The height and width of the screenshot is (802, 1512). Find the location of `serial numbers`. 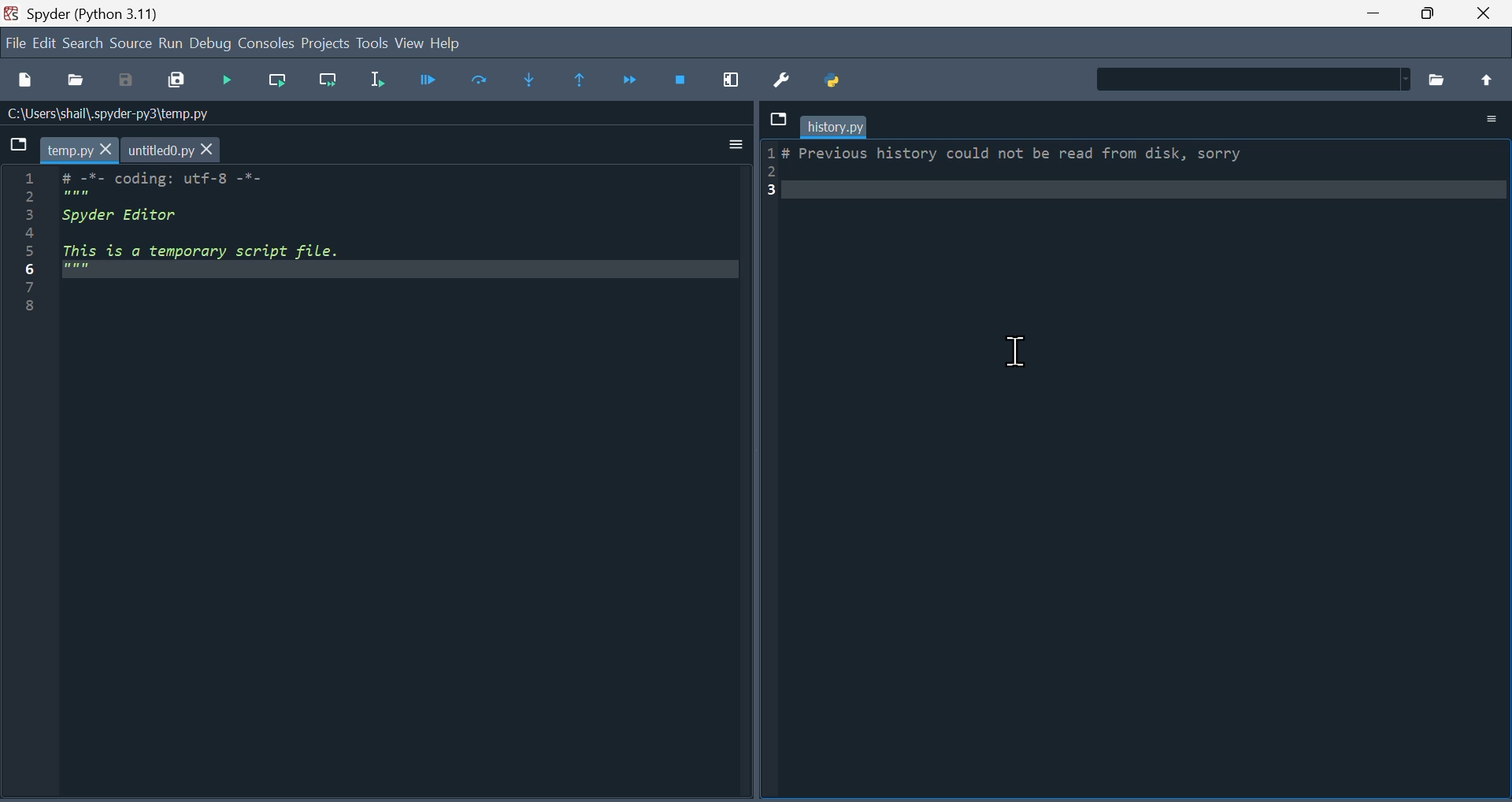

serial numbers is located at coordinates (772, 171).